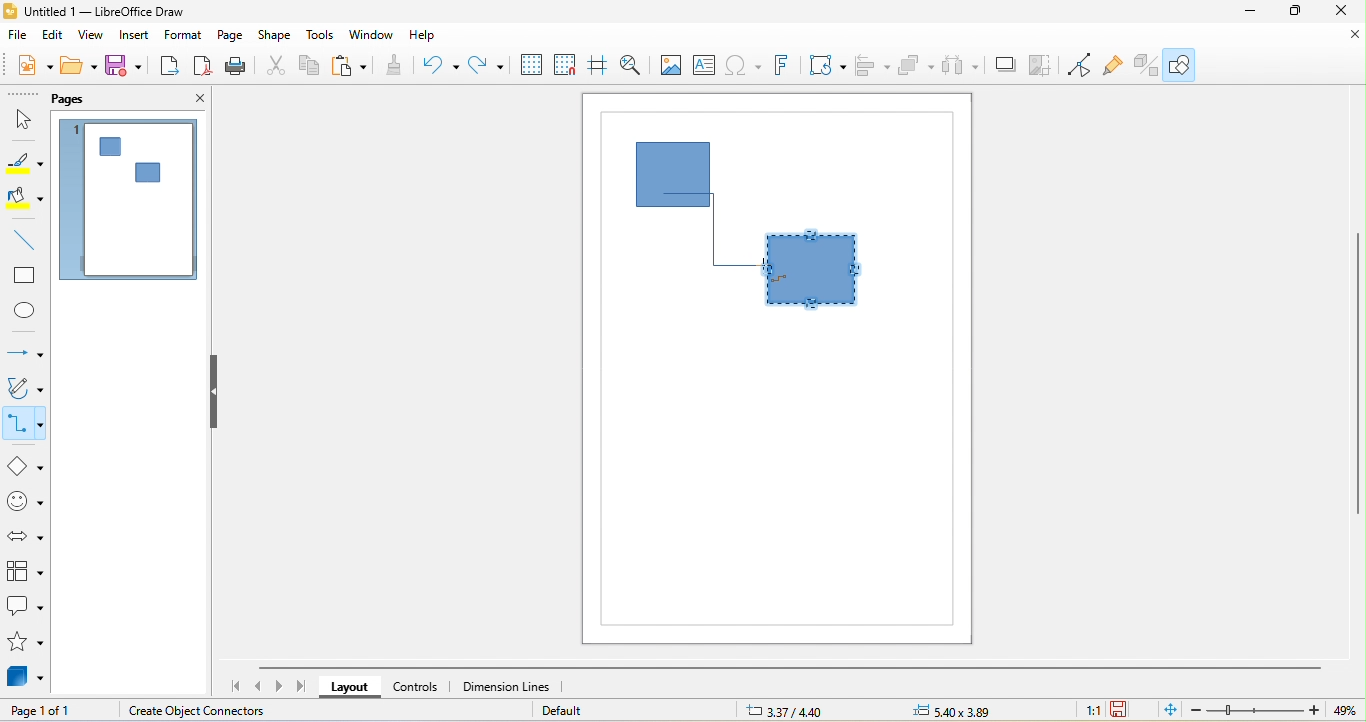 The image size is (1366, 722). Describe the element at coordinates (133, 35) in the screenshot. I see `insert` at that location.